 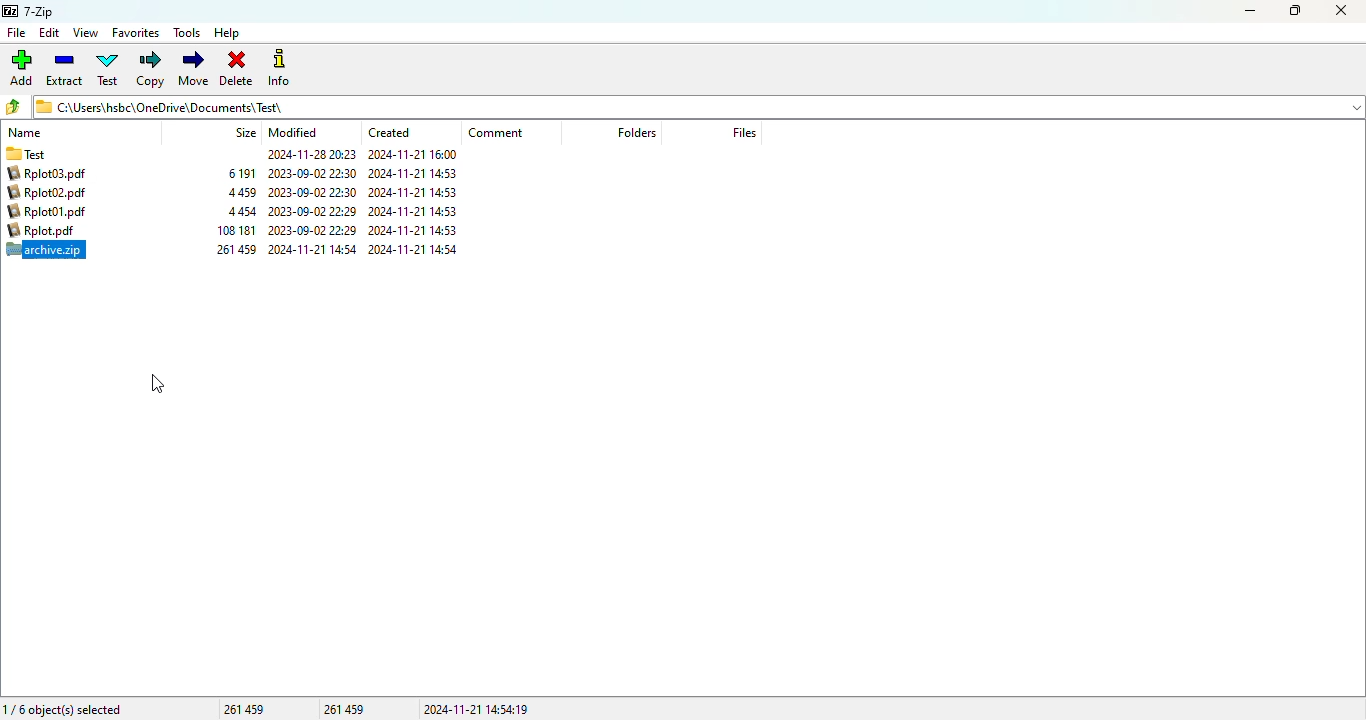 I want to click on 261 459, so click(x=237, y=172).